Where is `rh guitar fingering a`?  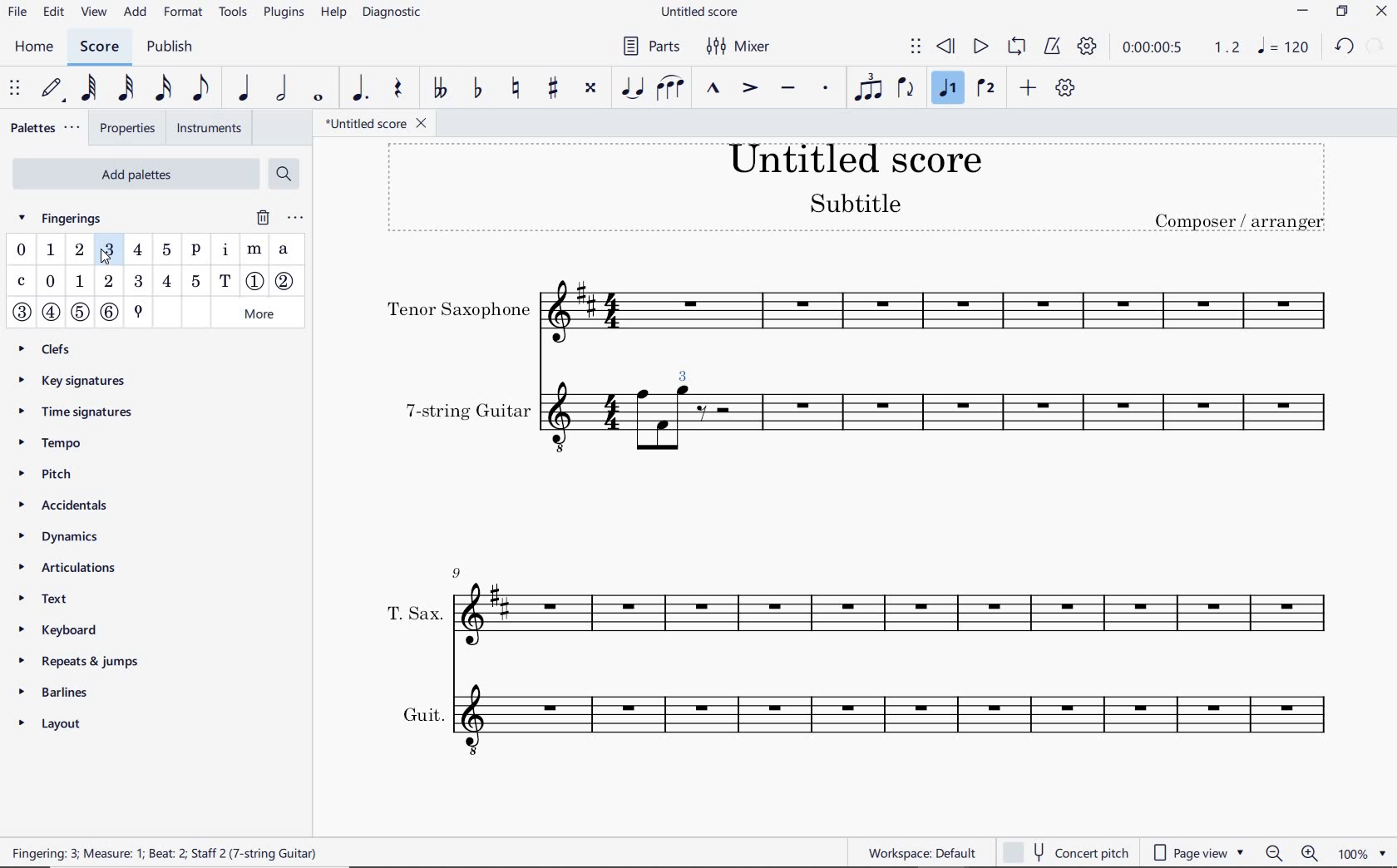
rh guitar fingering a is located at coordinates (285, 251).